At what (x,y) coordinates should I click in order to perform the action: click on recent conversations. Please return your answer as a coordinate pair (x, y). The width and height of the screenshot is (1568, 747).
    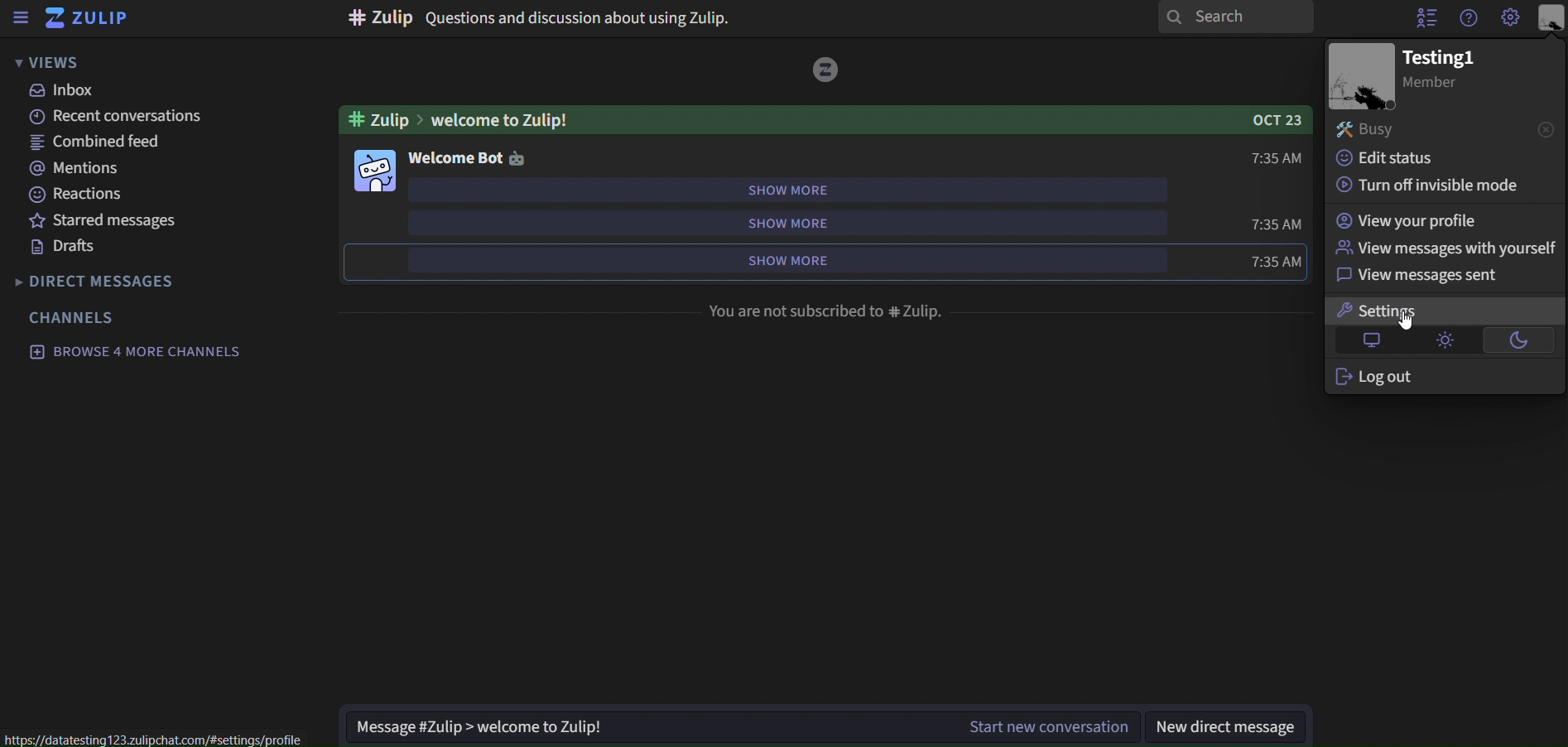
    Looking at the image, I should click on (113, 115).